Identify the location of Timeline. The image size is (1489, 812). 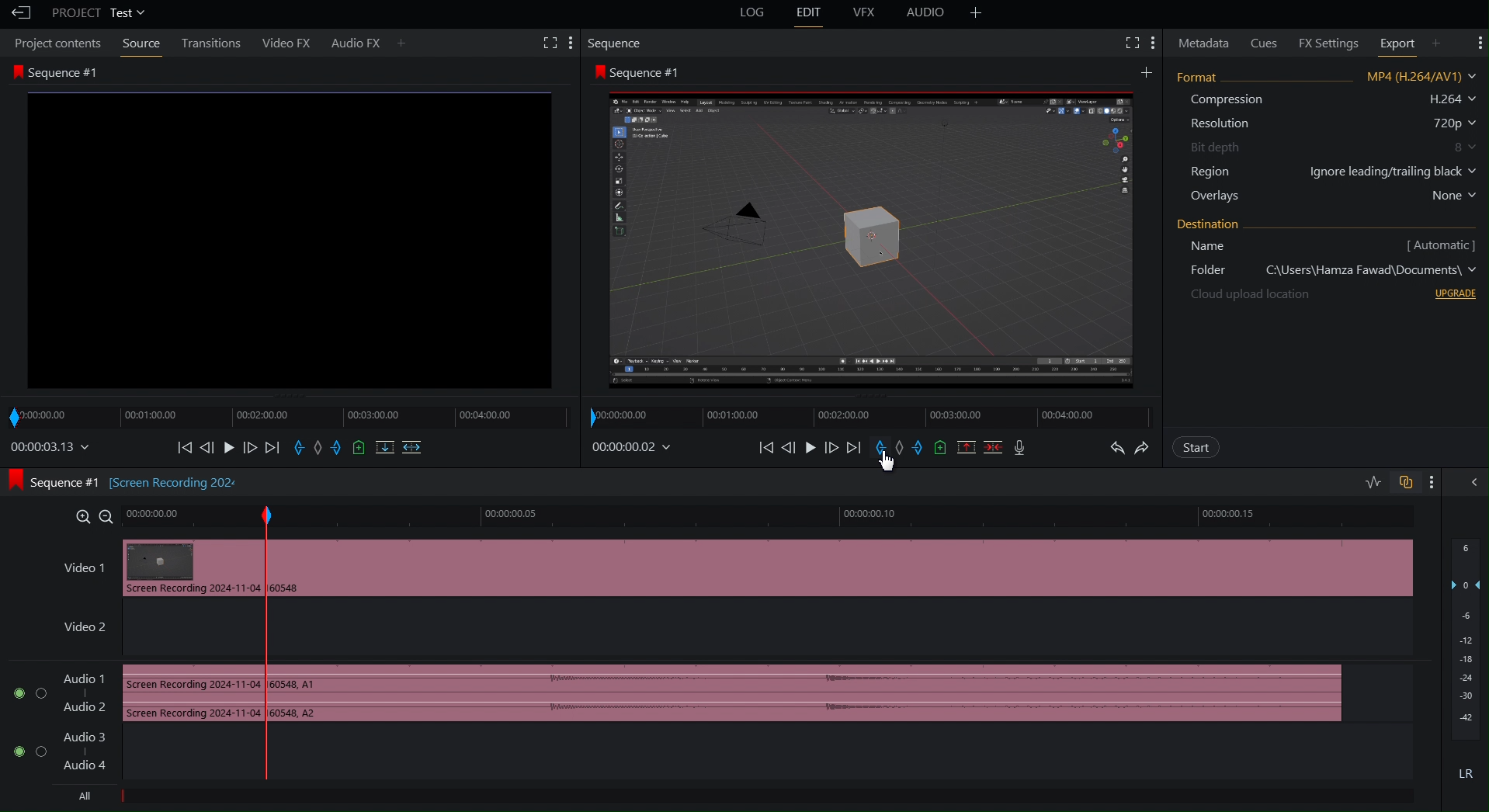
(840, 515).